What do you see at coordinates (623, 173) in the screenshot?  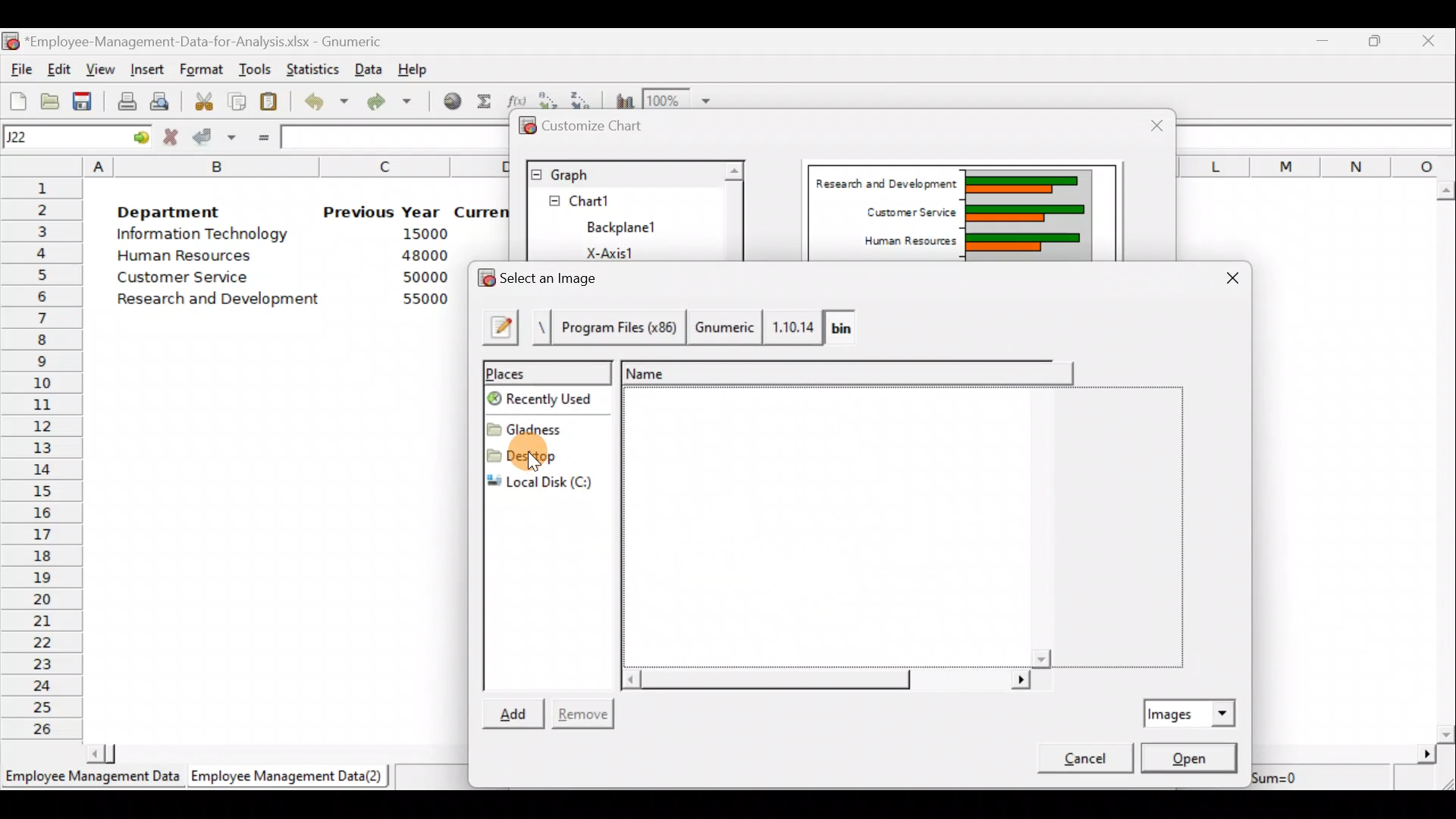 I see `Graph` at bounding box center [623, 173].